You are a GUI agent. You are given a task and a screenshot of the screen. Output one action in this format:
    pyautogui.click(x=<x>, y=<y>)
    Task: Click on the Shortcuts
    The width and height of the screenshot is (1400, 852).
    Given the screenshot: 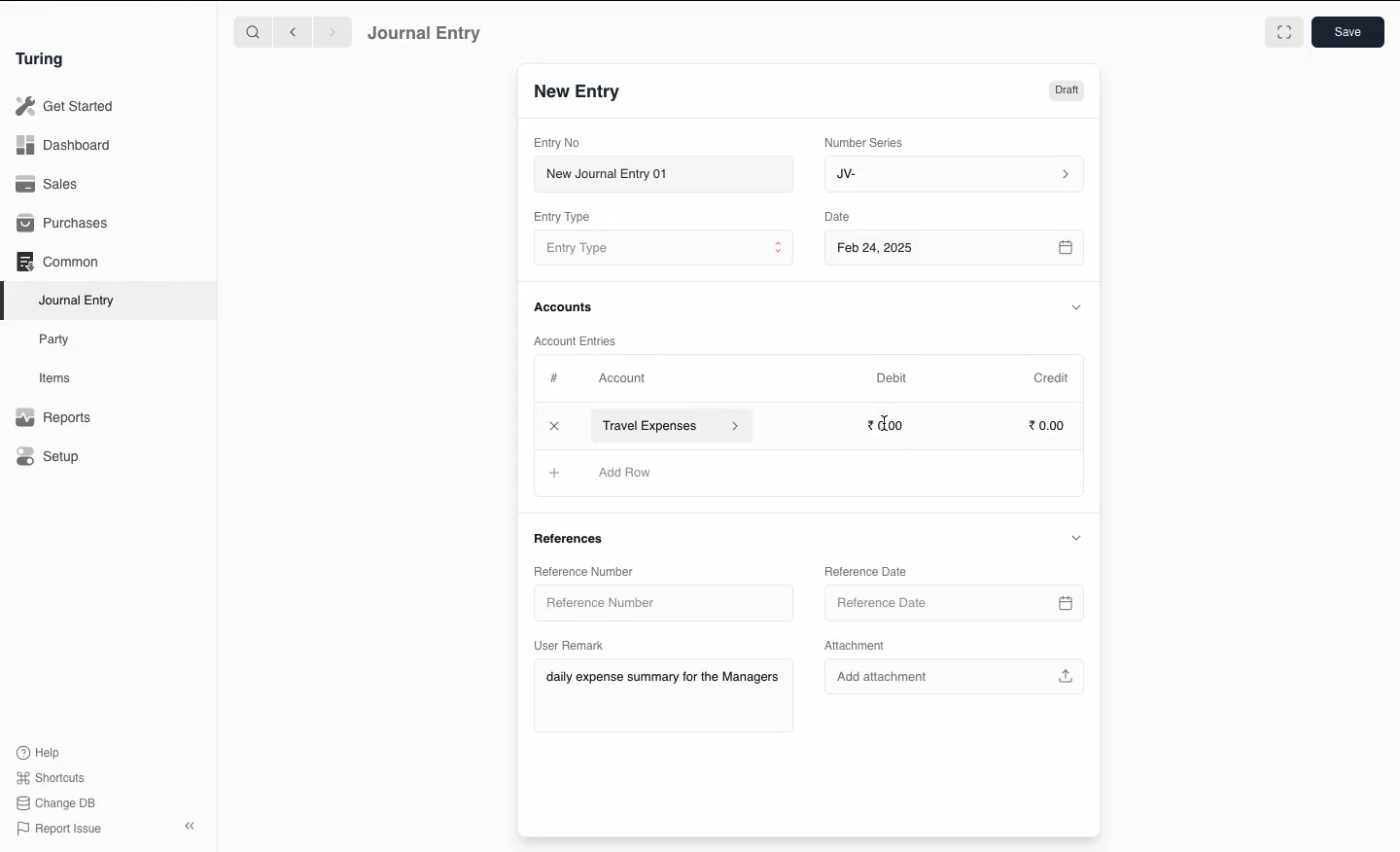 What is the action you would take?
    pyautogui.click(x=53, y=778)
    